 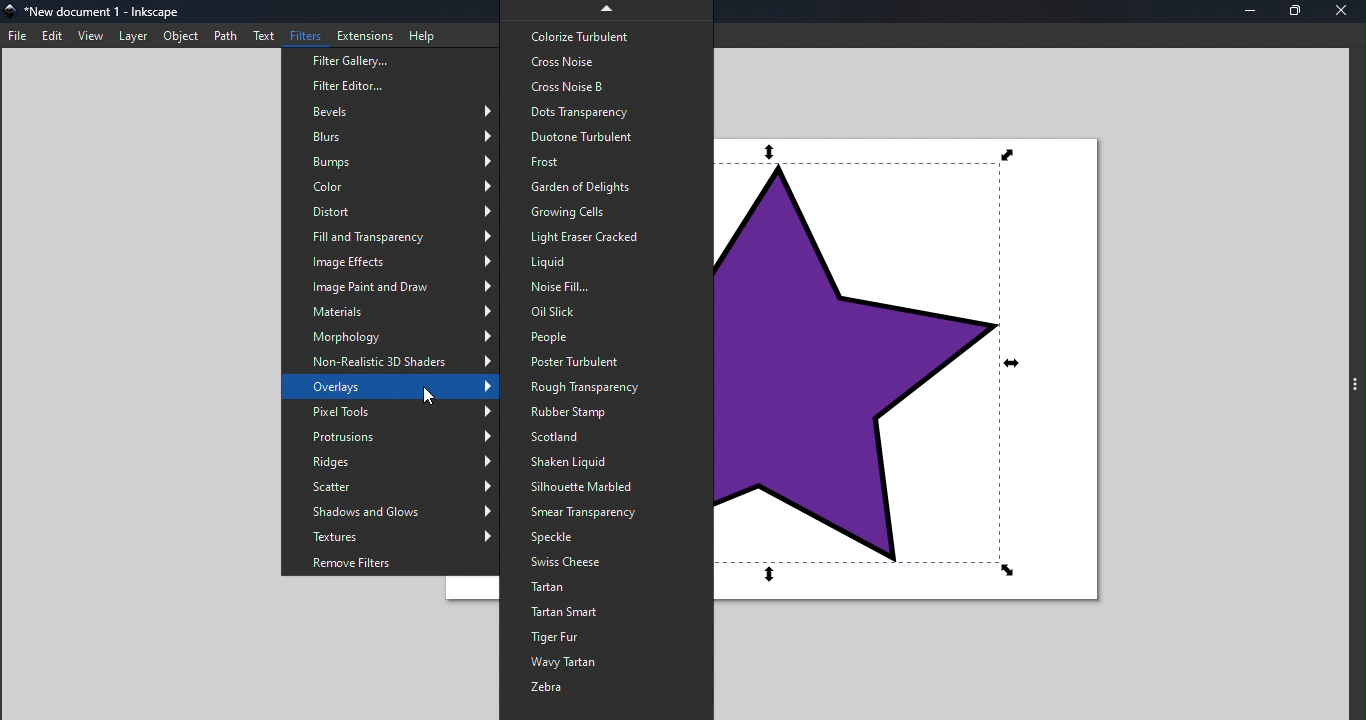 I want to click on Bumps, so click(x=388, y=161).